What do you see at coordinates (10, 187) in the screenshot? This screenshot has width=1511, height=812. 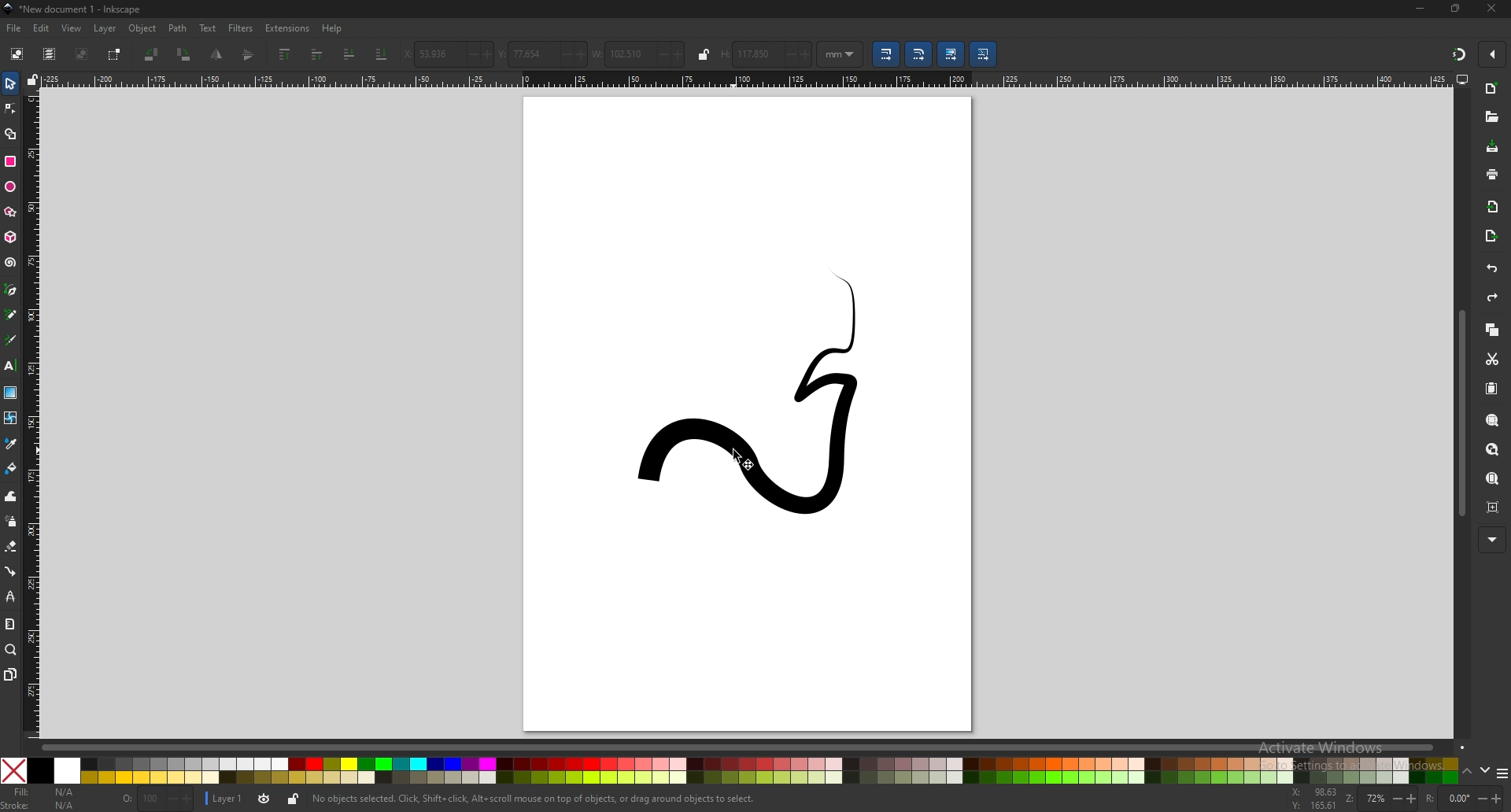 I see `ellipse` at bounding box center [10, 187].